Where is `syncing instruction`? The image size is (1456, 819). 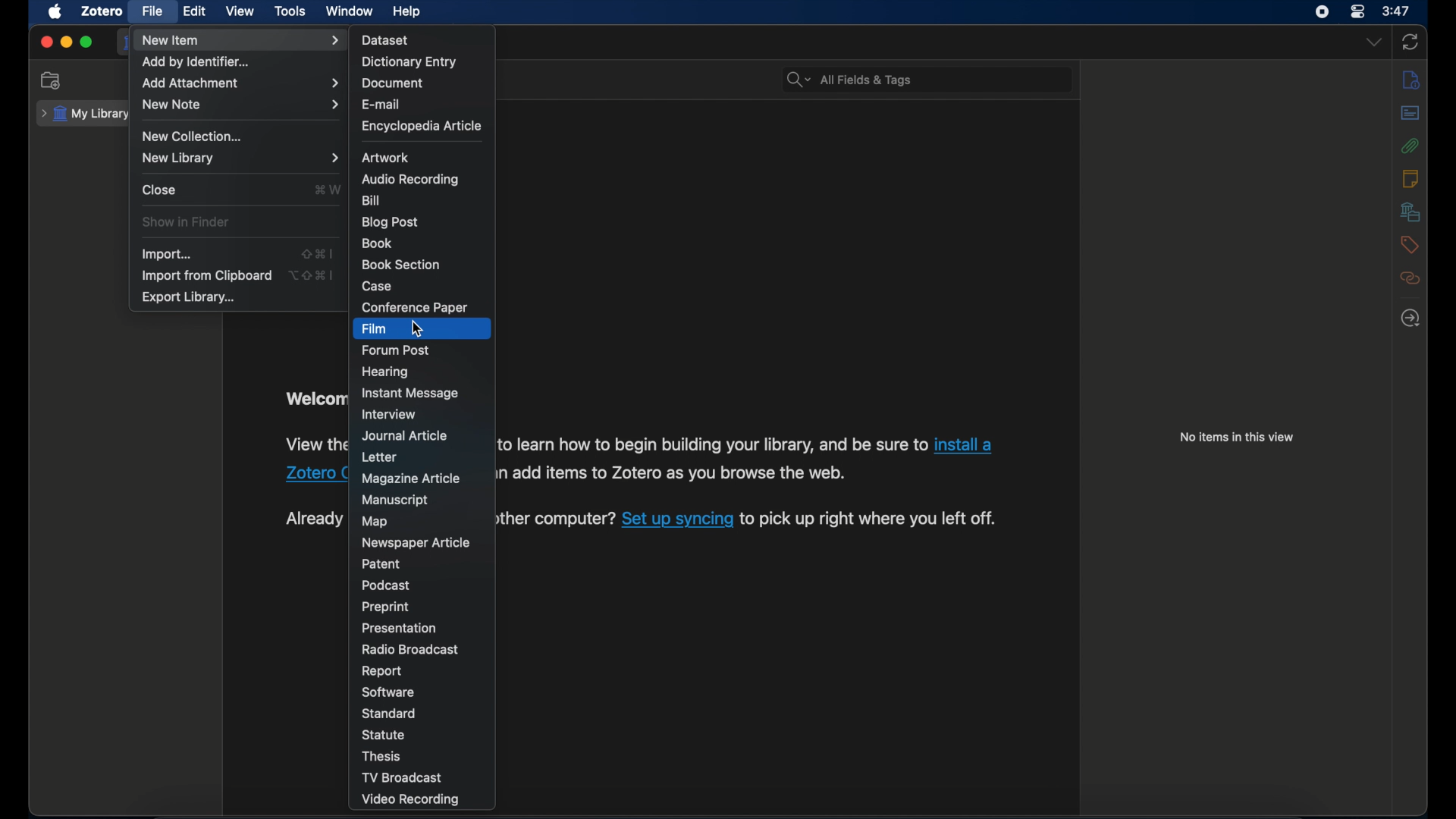
syncing instruction is located at coordinates (559, 519).